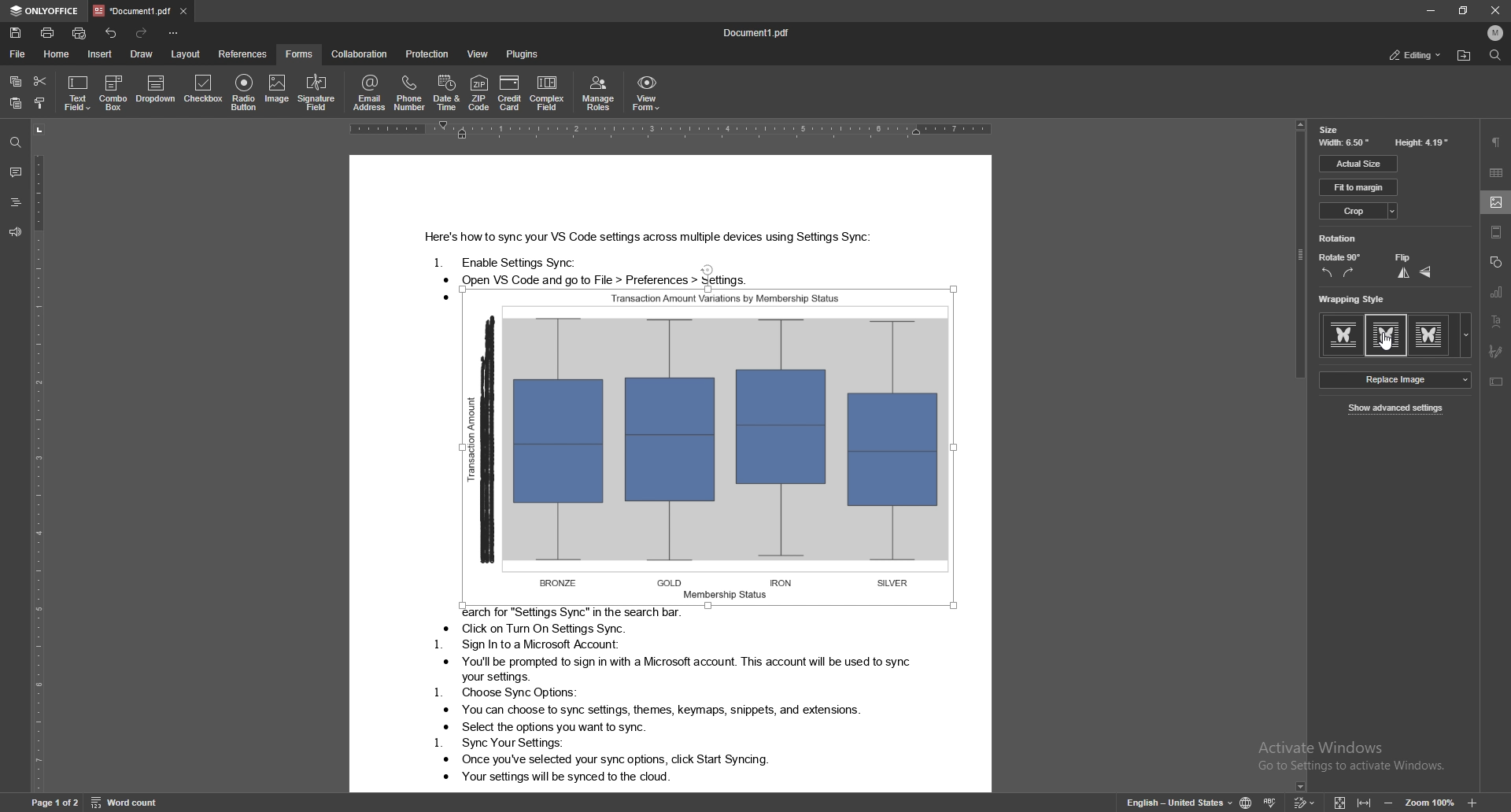 The image size is (1511, 812). I want to click on flop, so click(1426, 273).